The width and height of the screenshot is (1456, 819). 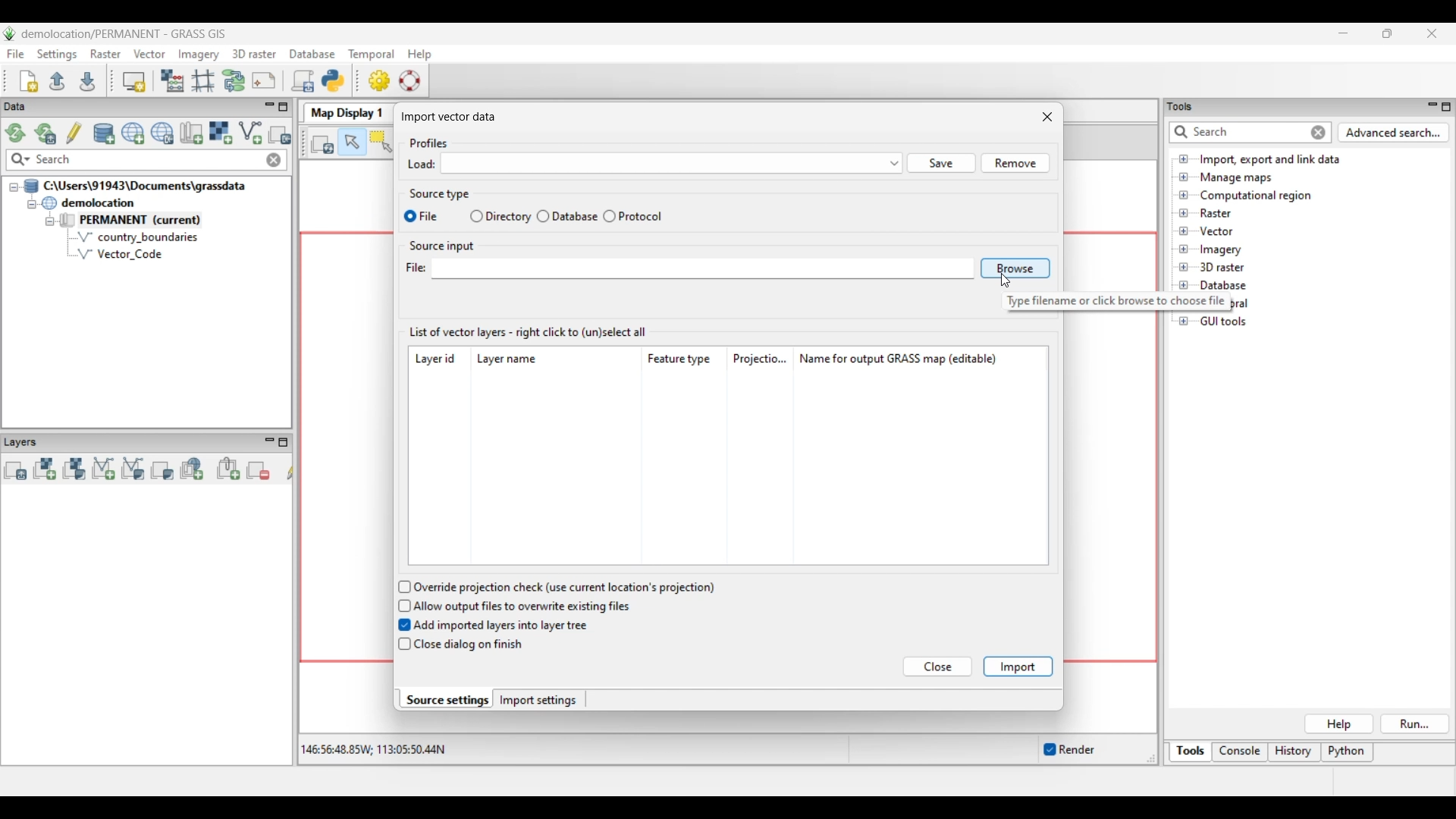 What do you see at coordinates (131, 467) in the screenshot?
I see `Add various vector map layers` at bounding box center [131, 467].